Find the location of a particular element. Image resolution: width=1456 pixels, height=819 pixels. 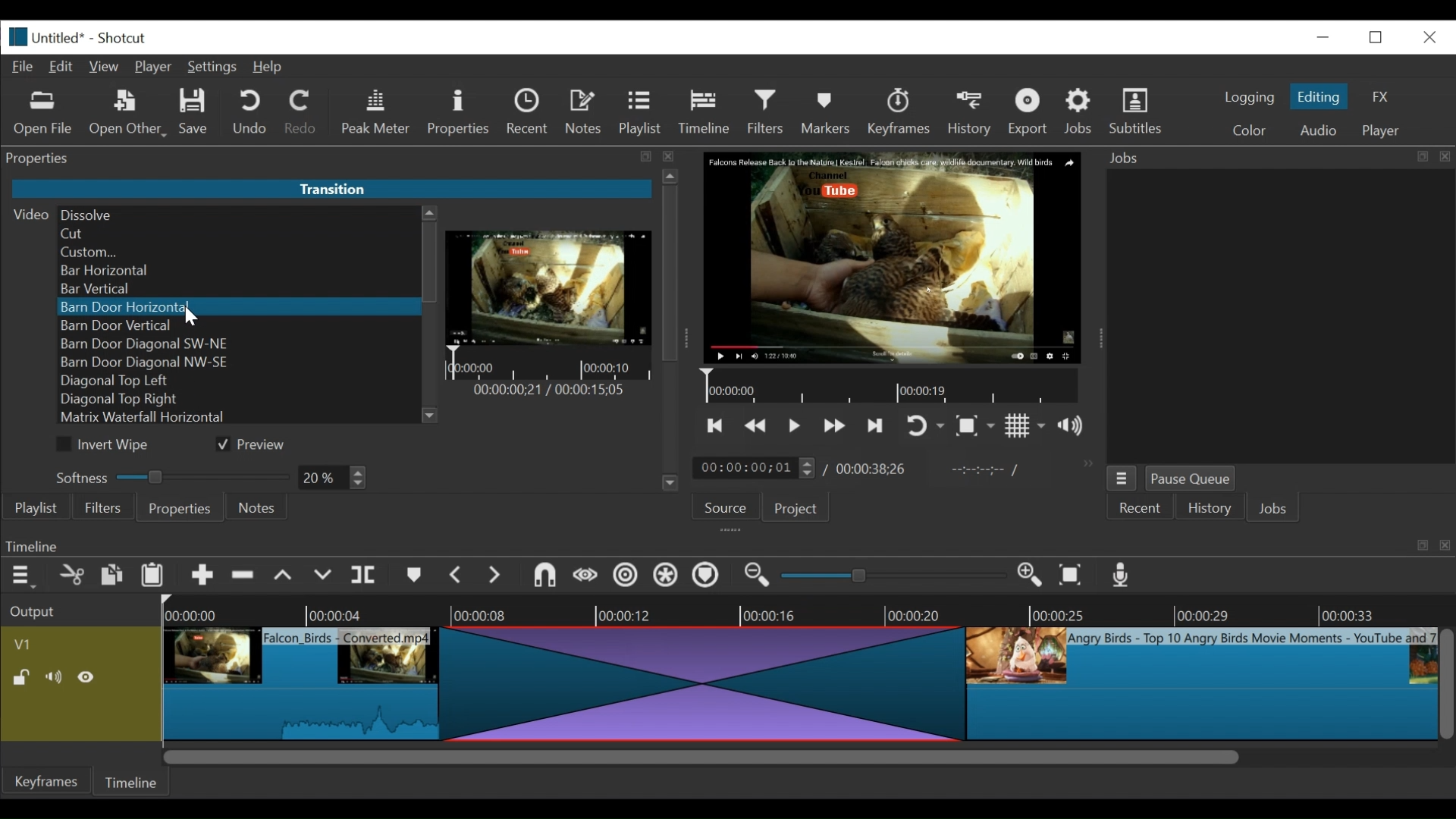

Properties is located at coordinates (460, 112).